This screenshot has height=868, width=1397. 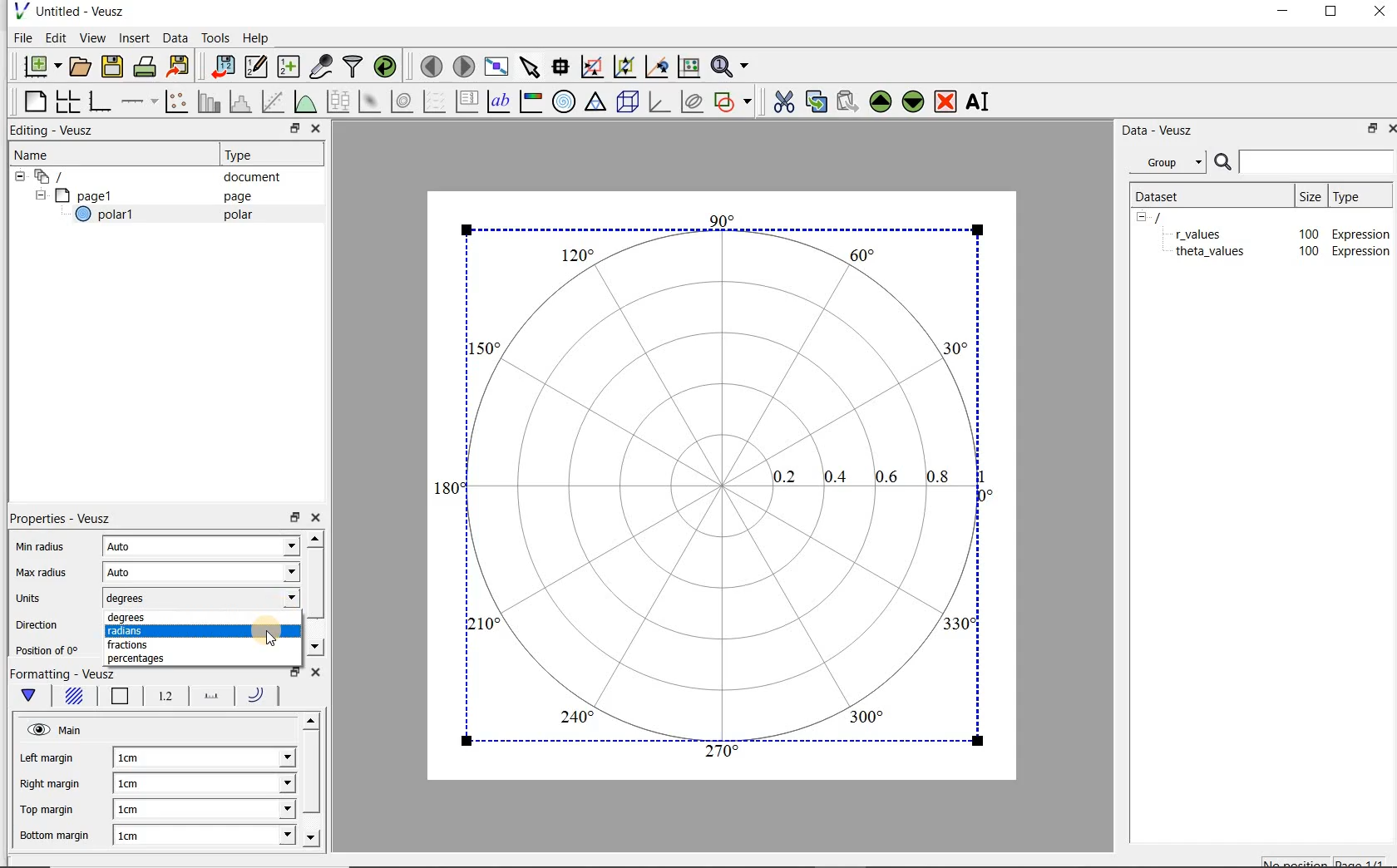 What do you see at coordinates (660, 103) in the screenshot?
I see `3d graph` at bounding box center [660, 103].